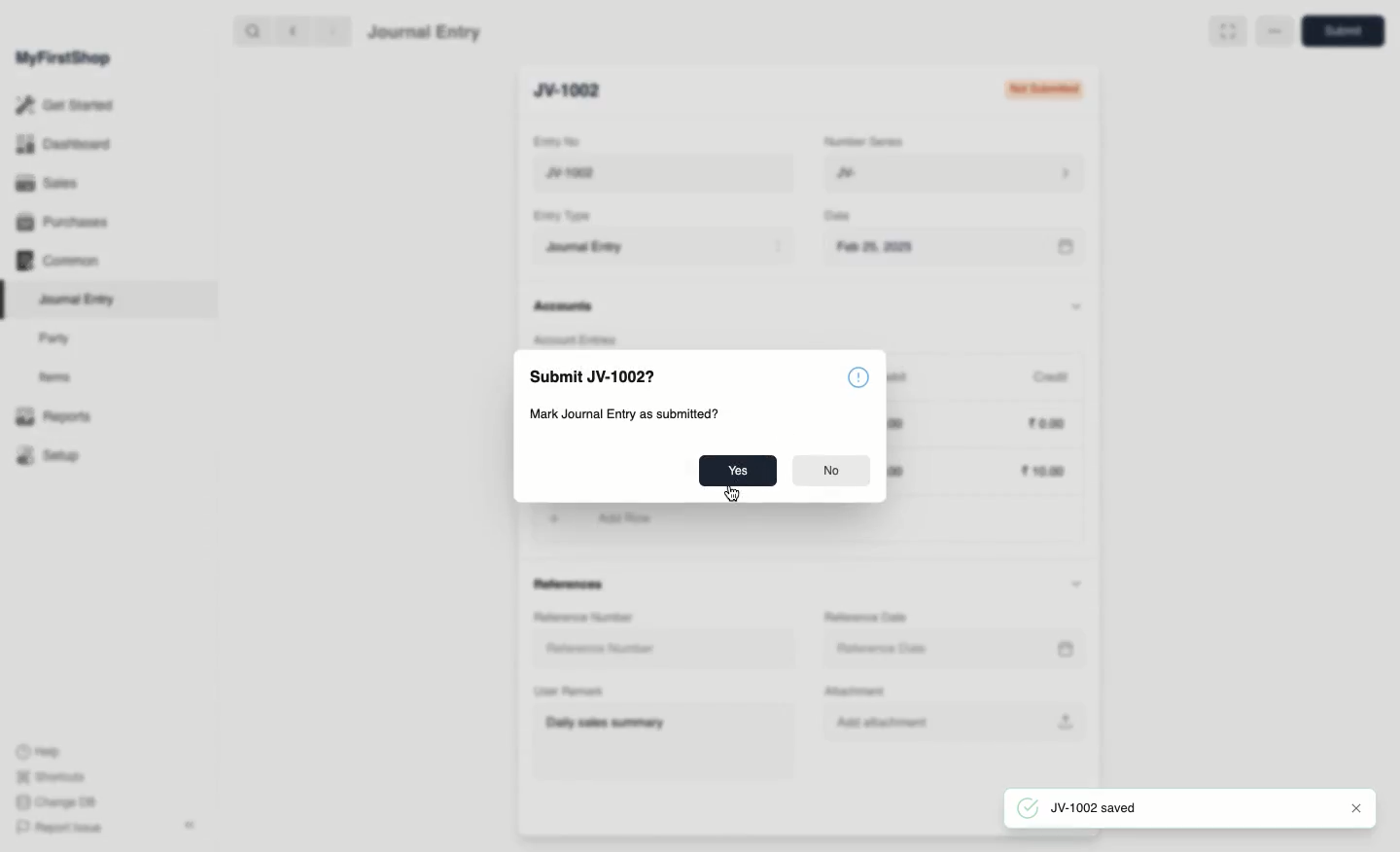 This screenshot has height=852, width=1400. What do you see at coordinates (62, 143) in the screenshot?
I see `Dashboard` at bounding box center [62, 143].